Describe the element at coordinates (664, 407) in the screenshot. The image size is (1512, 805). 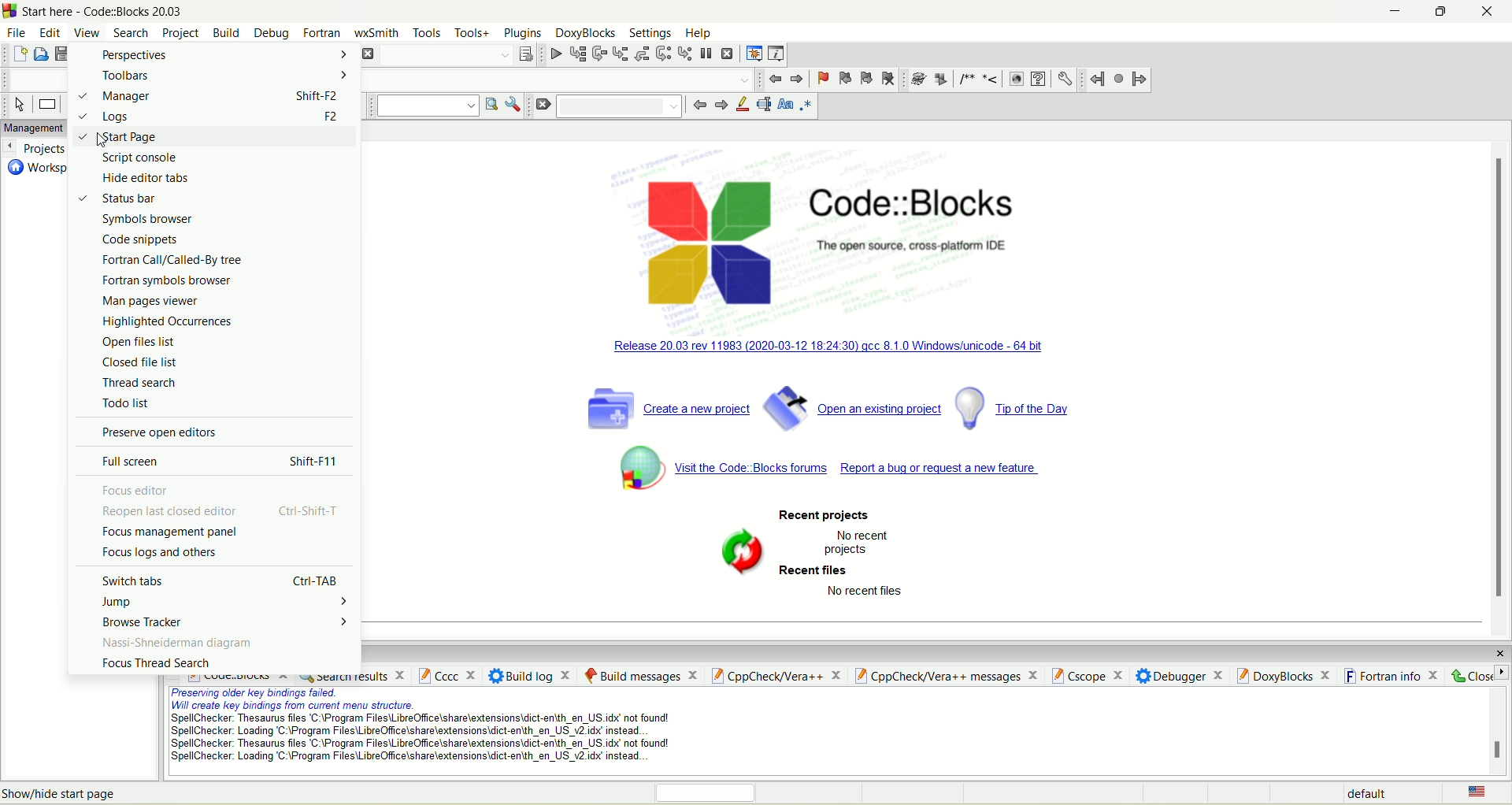
I see `create a new project` at that location.